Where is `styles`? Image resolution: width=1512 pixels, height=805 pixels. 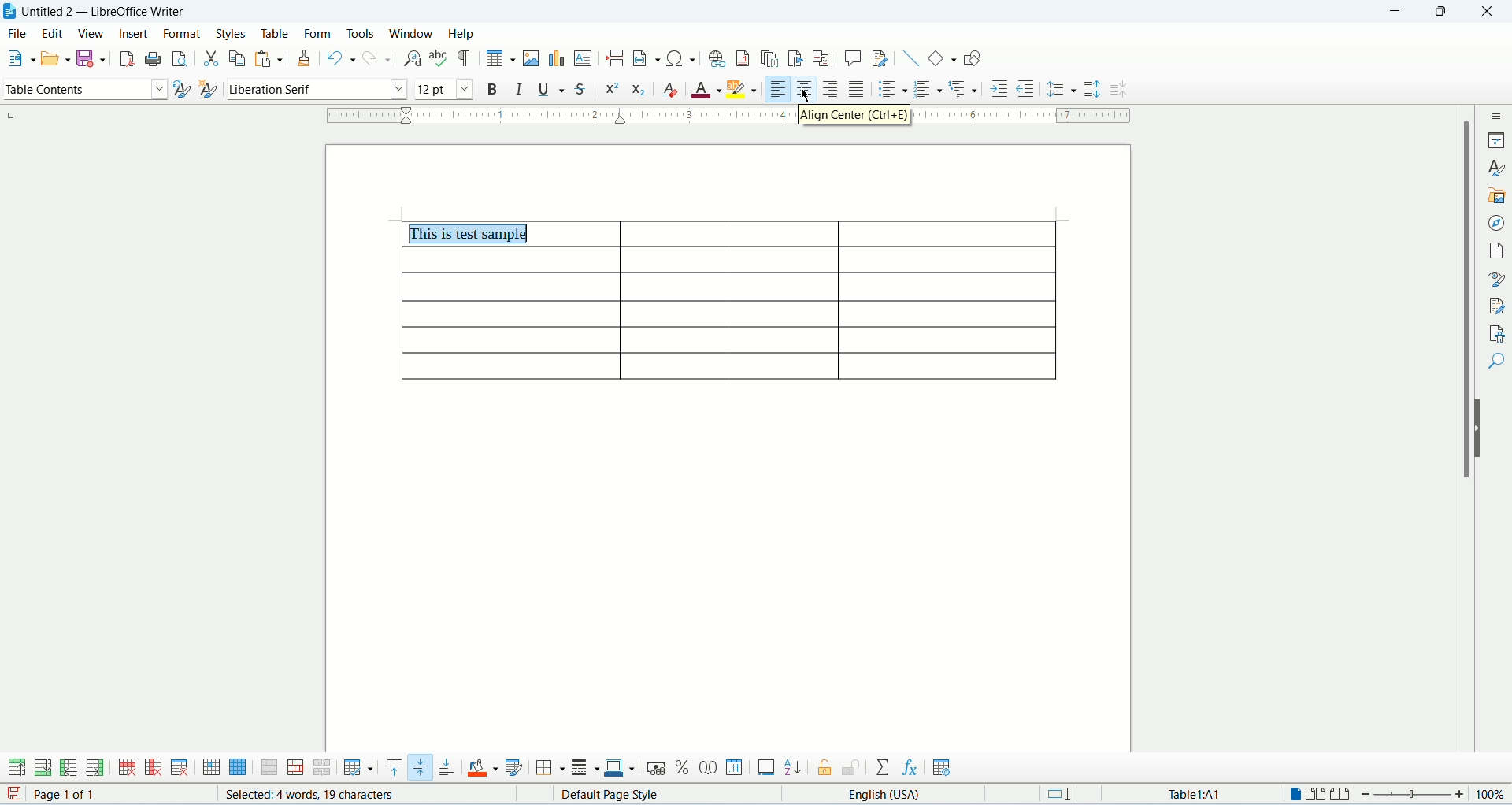
styles is located at coordinates (234, 32).